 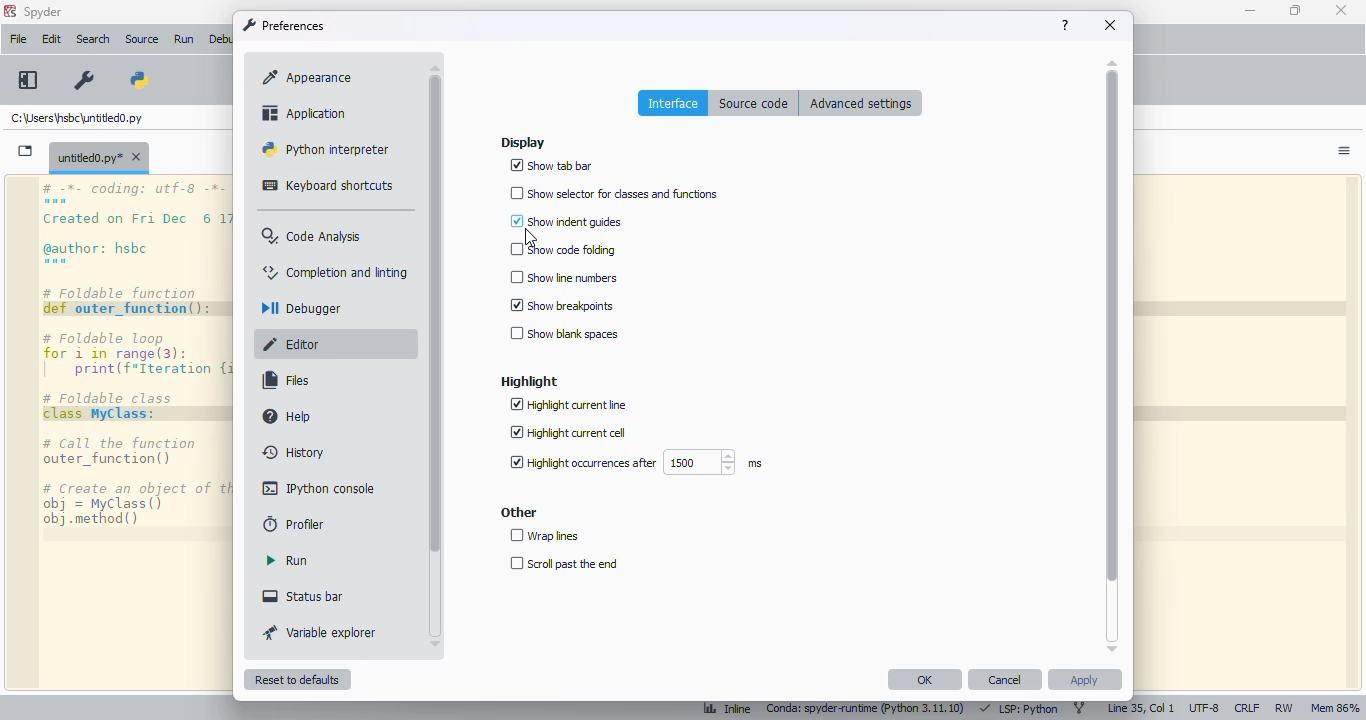 What do you see at coordinates (302, 596) in the screenshot?
I see `status bar` at bounding box center [302, 596].